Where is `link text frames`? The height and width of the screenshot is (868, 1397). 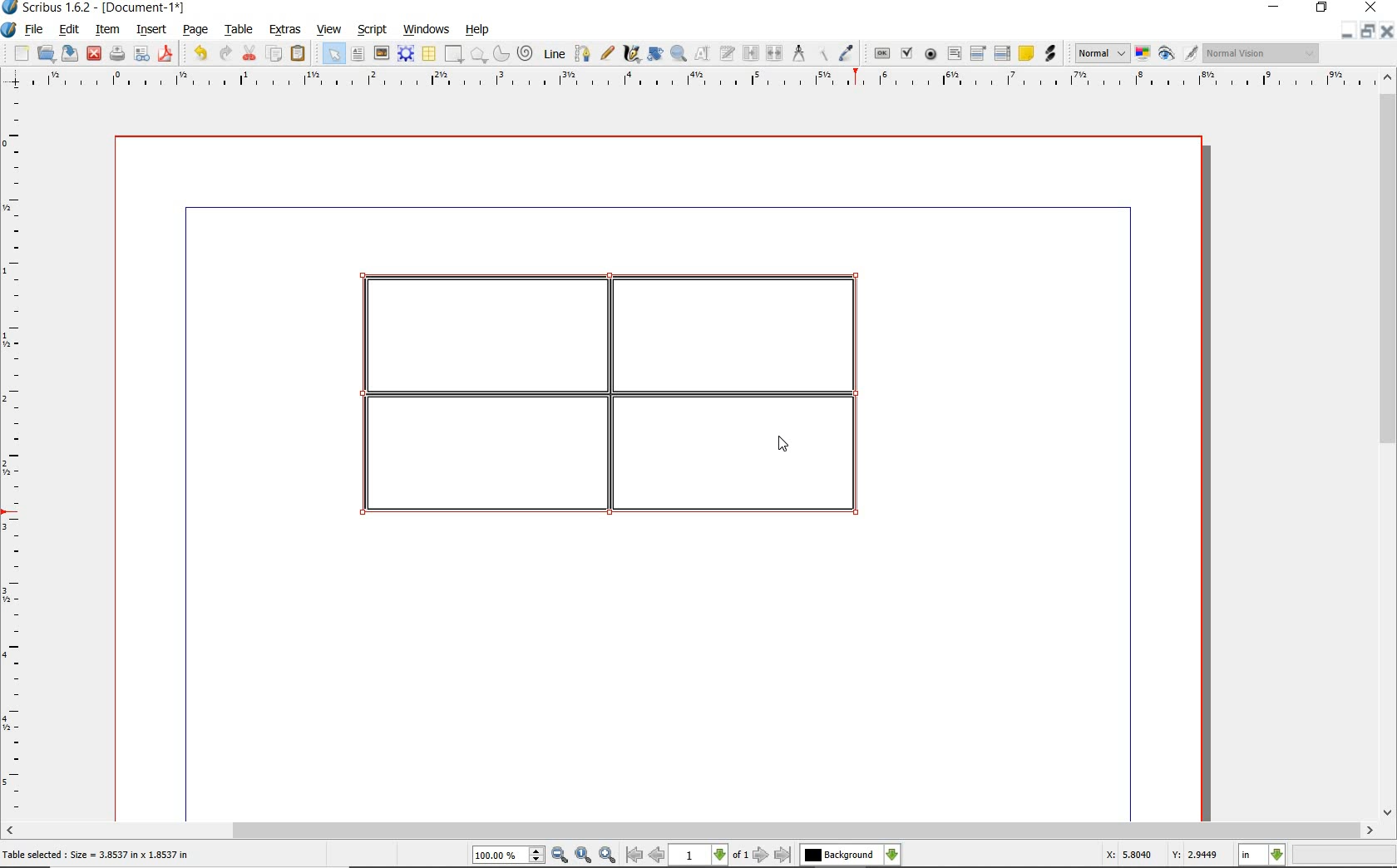
link text frames is located at coordinates (752, 53).